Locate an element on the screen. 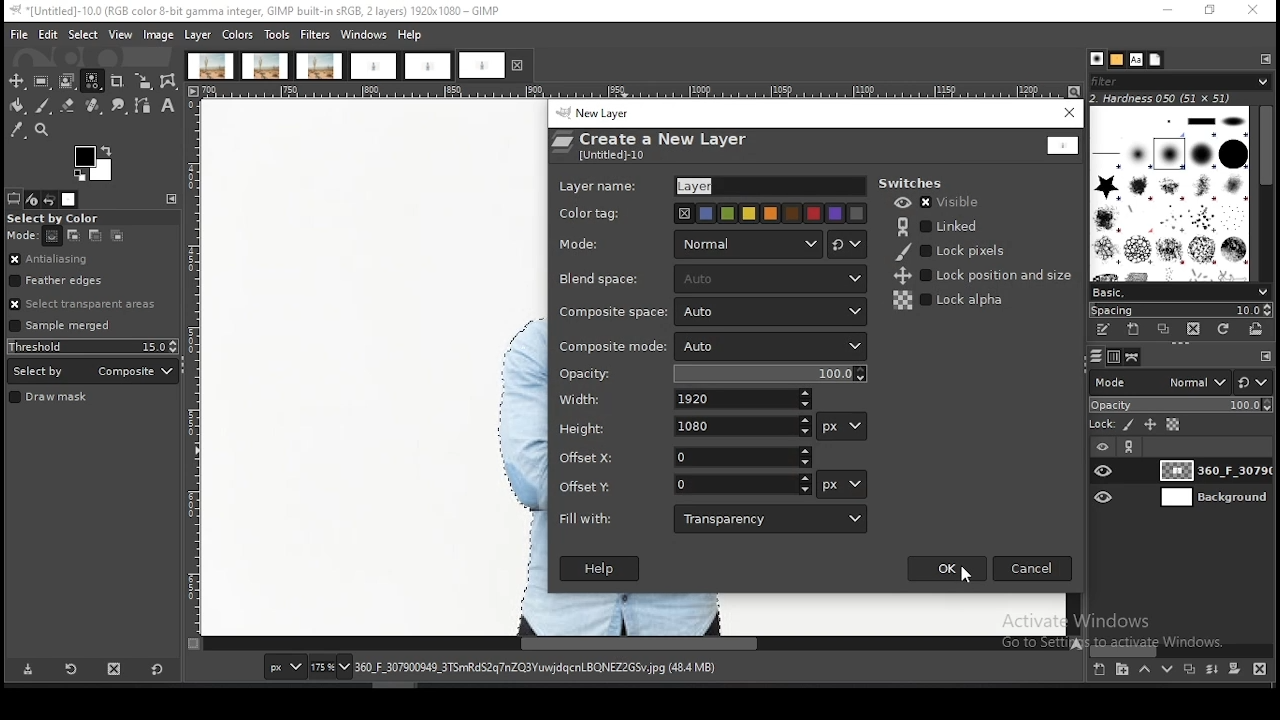 The width and height of the screenshot is (1280, 720). height is located at coordinates (741, 427).